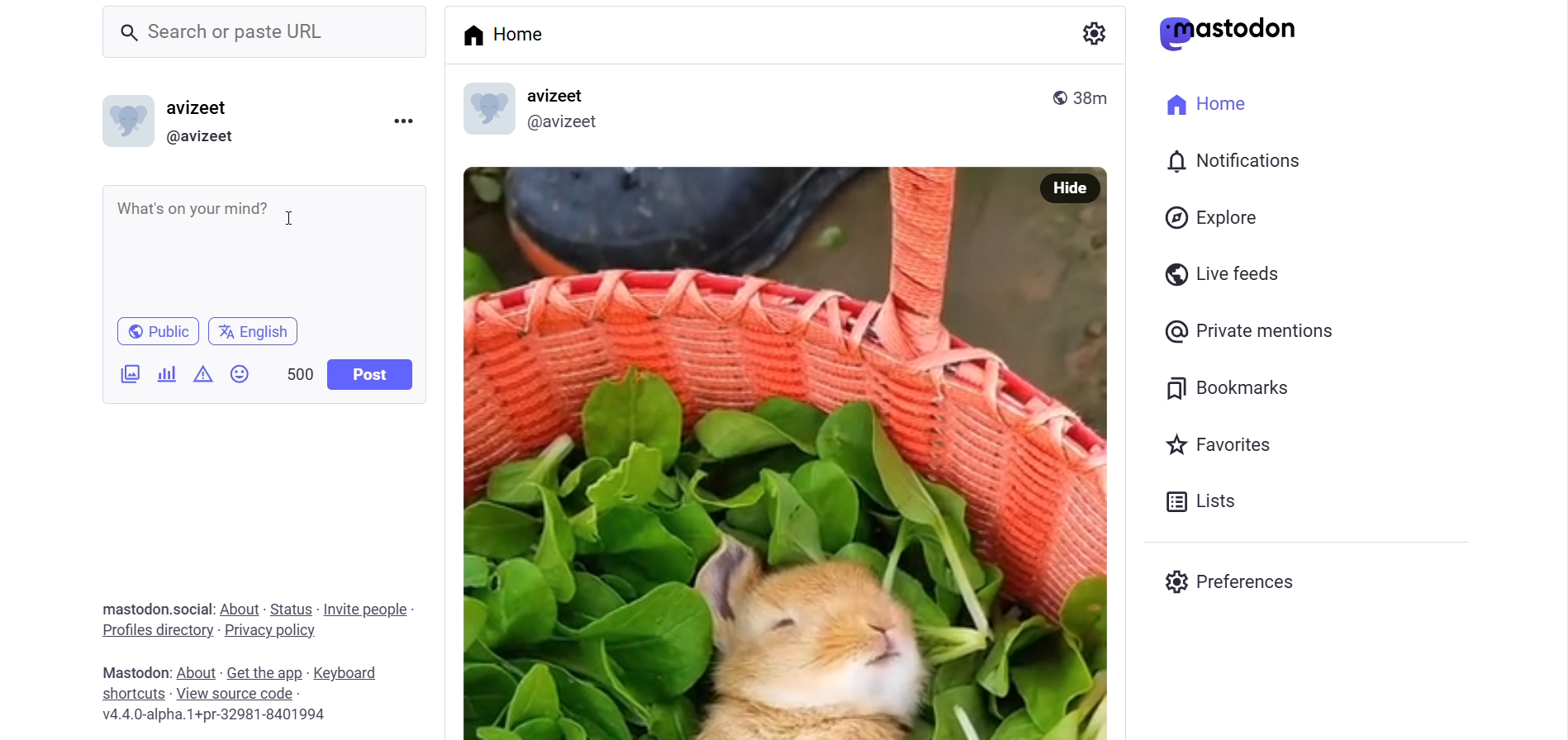  What do you see at coordinates (742, 453) in the screenshot?
I see `Post` at bounding box center [742, 453].